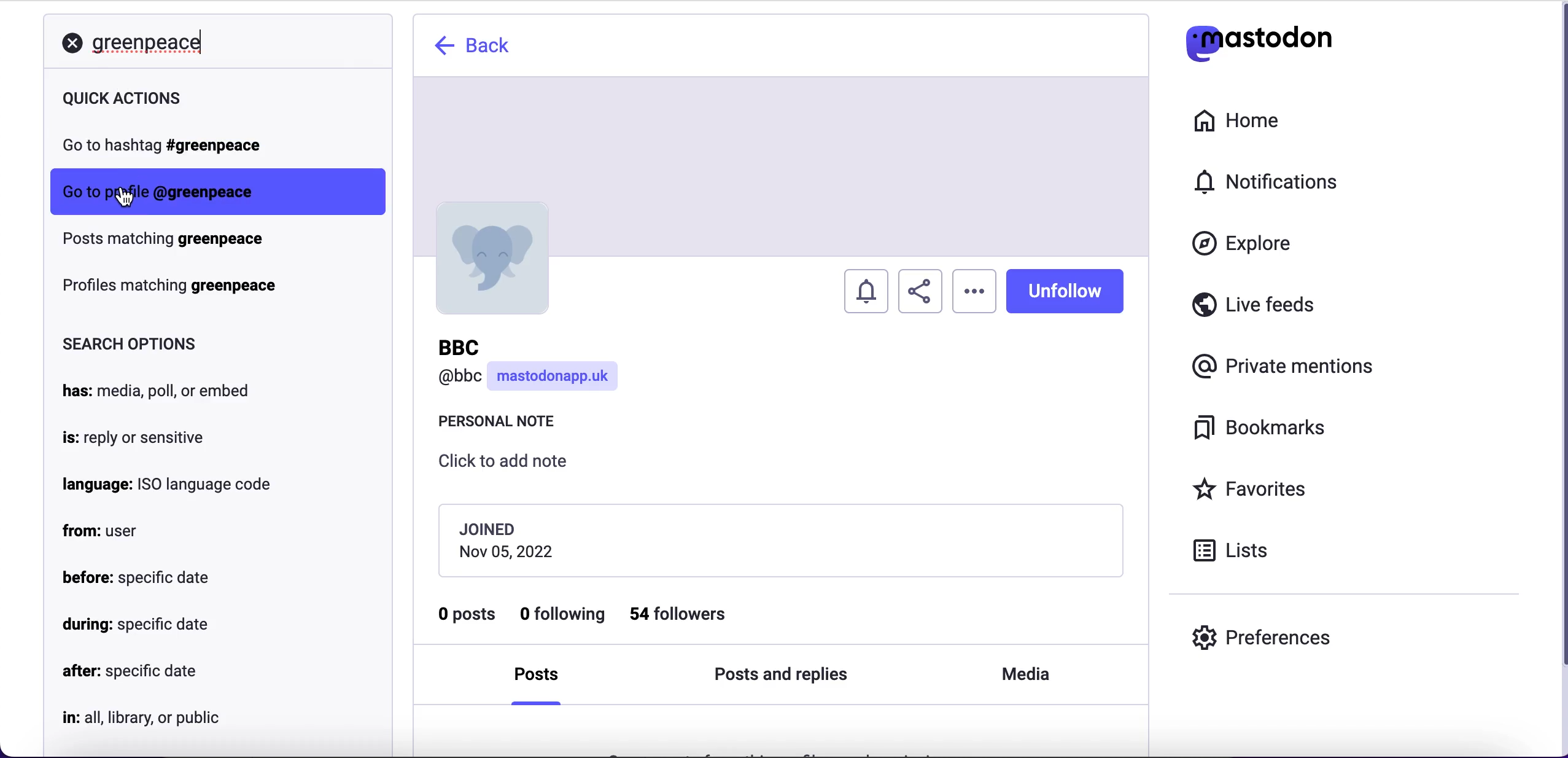 The image size is (1568, 758). I want to click on go to hashtag, so click(174, 149).